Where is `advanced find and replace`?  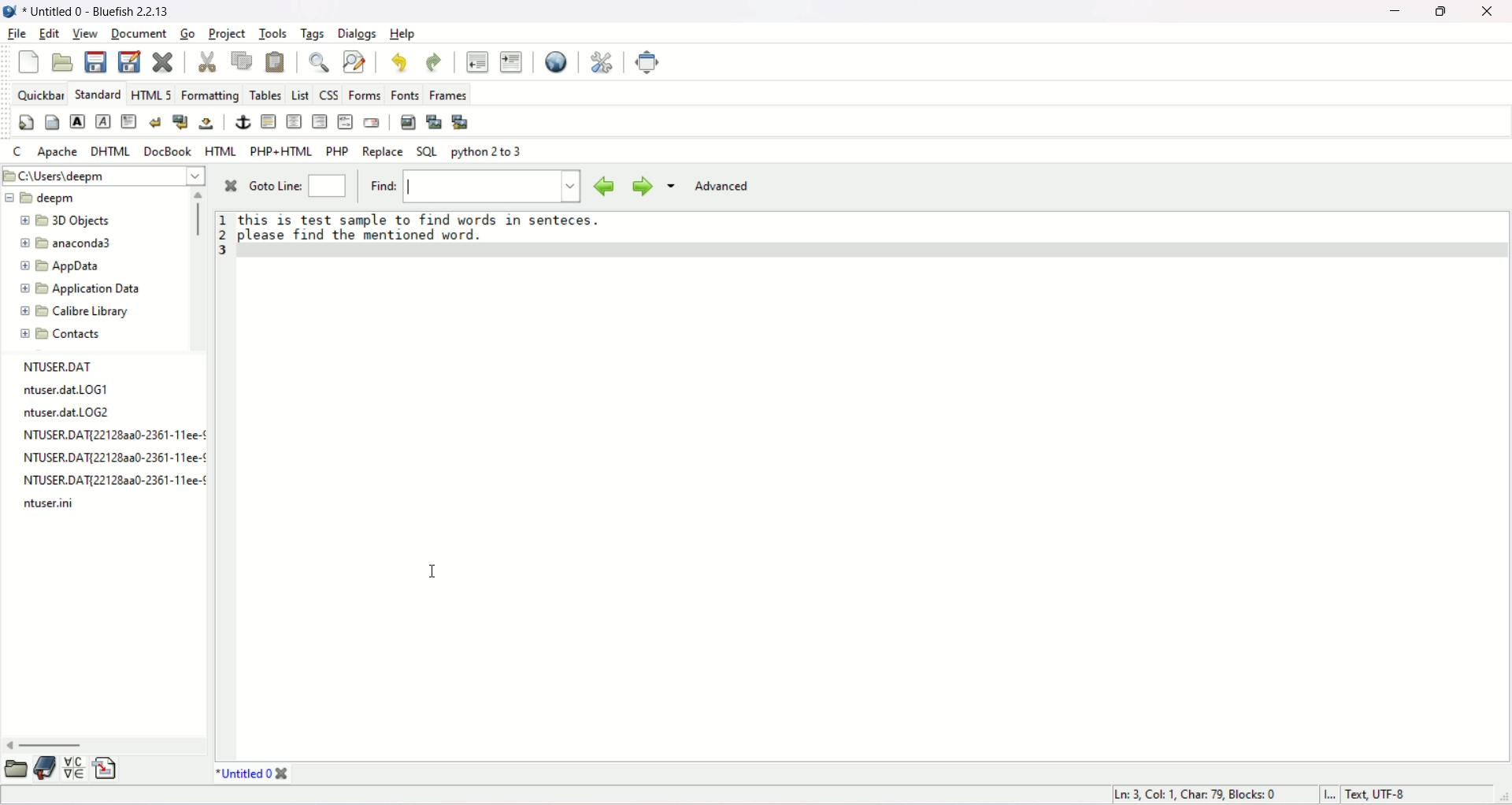 advanced find and replace is located at coordinates (353, 60).